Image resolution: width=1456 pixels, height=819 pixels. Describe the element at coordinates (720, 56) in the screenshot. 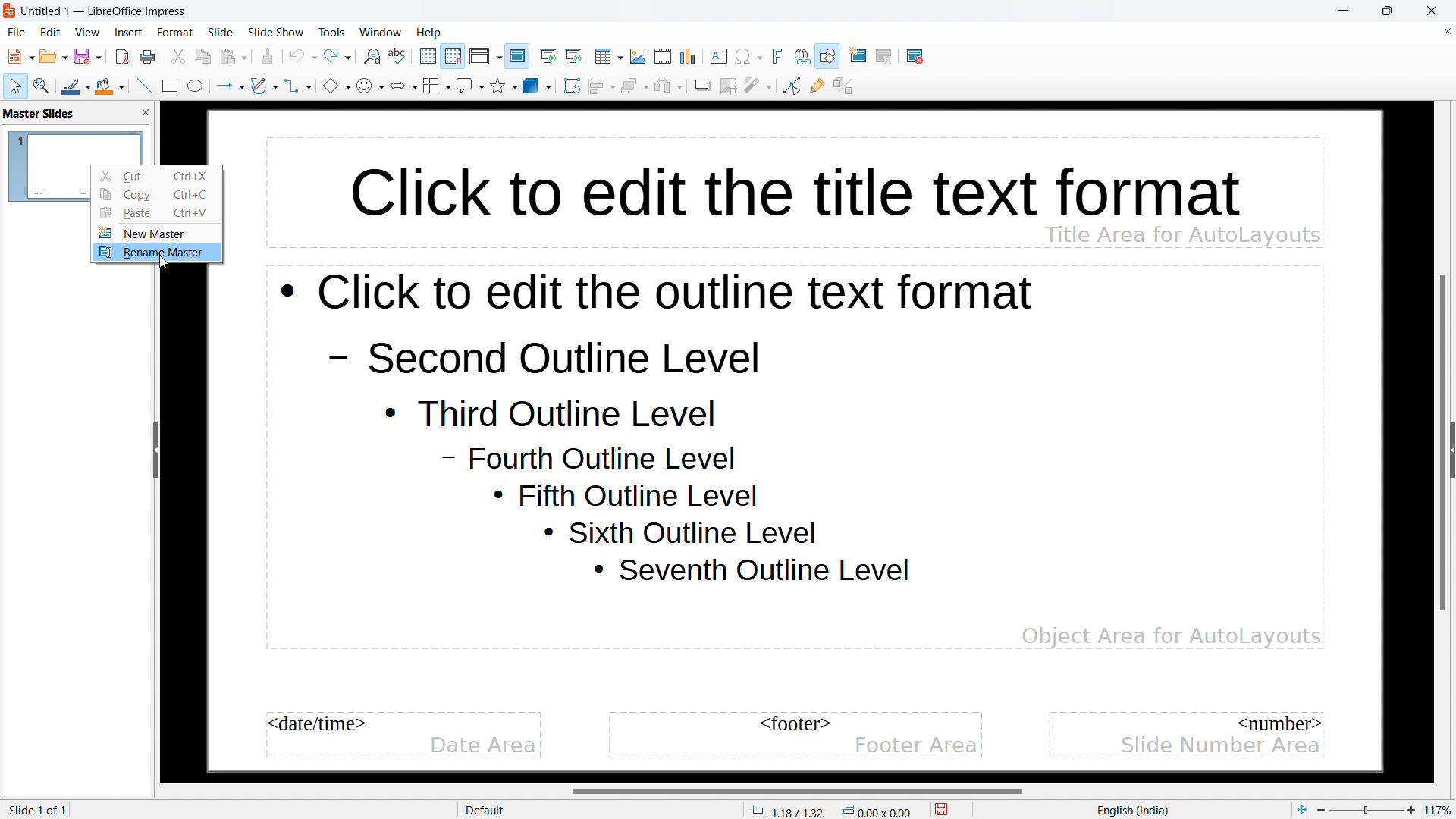

I see `insert textbox` at that location.